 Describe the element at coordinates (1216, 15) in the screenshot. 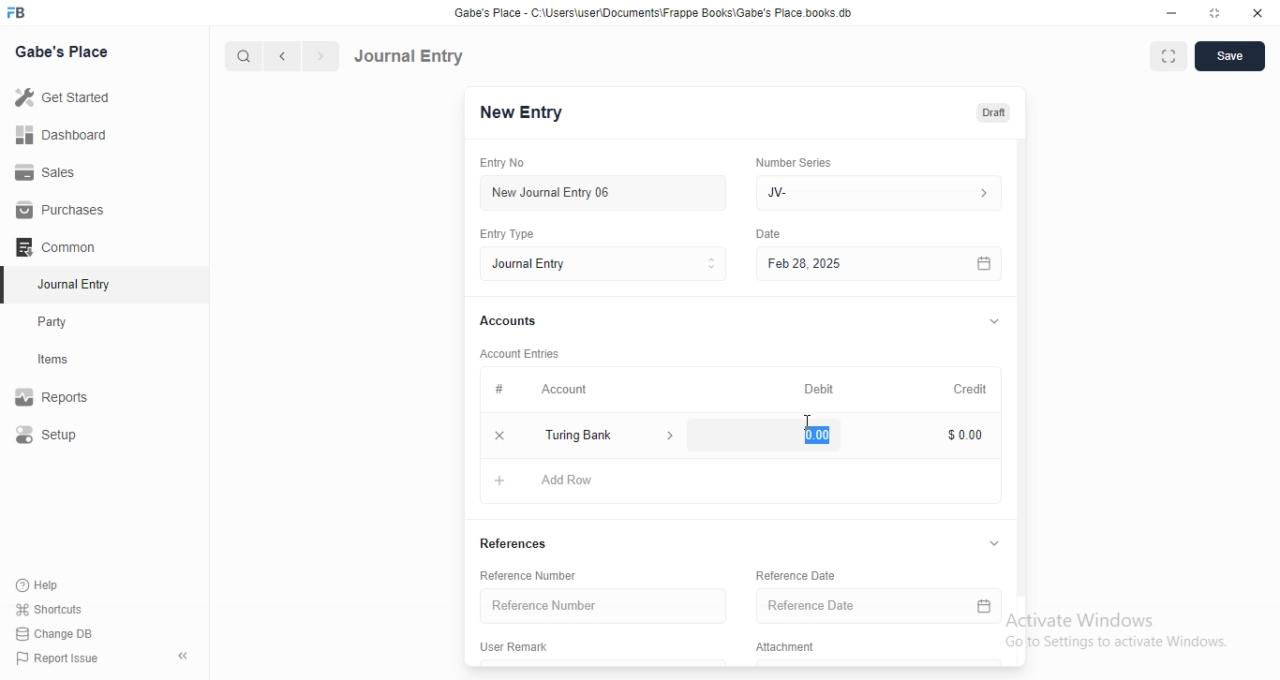

I see `restore down` at that location.